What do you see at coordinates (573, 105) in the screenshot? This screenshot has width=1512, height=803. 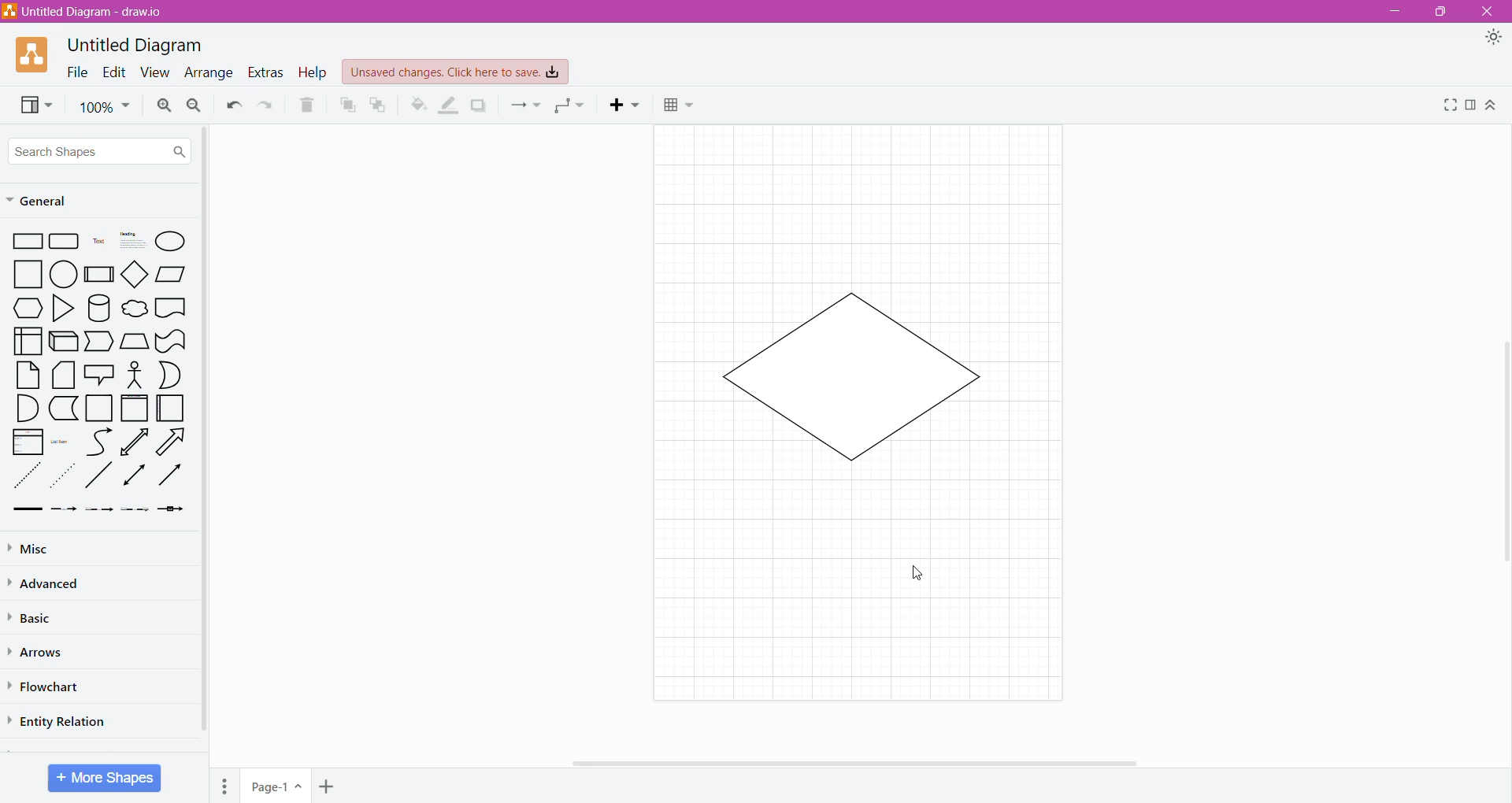 I see `Waypoints` at bounding box center [573, 105].